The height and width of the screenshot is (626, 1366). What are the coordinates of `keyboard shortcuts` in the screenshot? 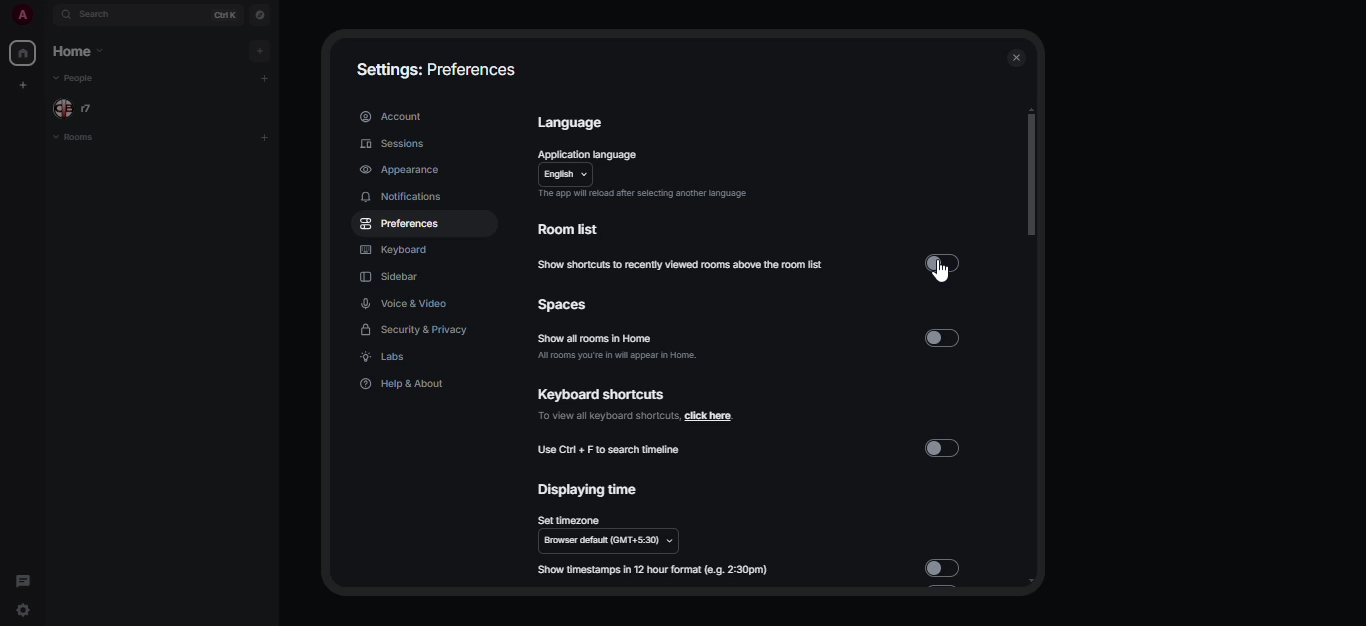 It's located at (600, 395).